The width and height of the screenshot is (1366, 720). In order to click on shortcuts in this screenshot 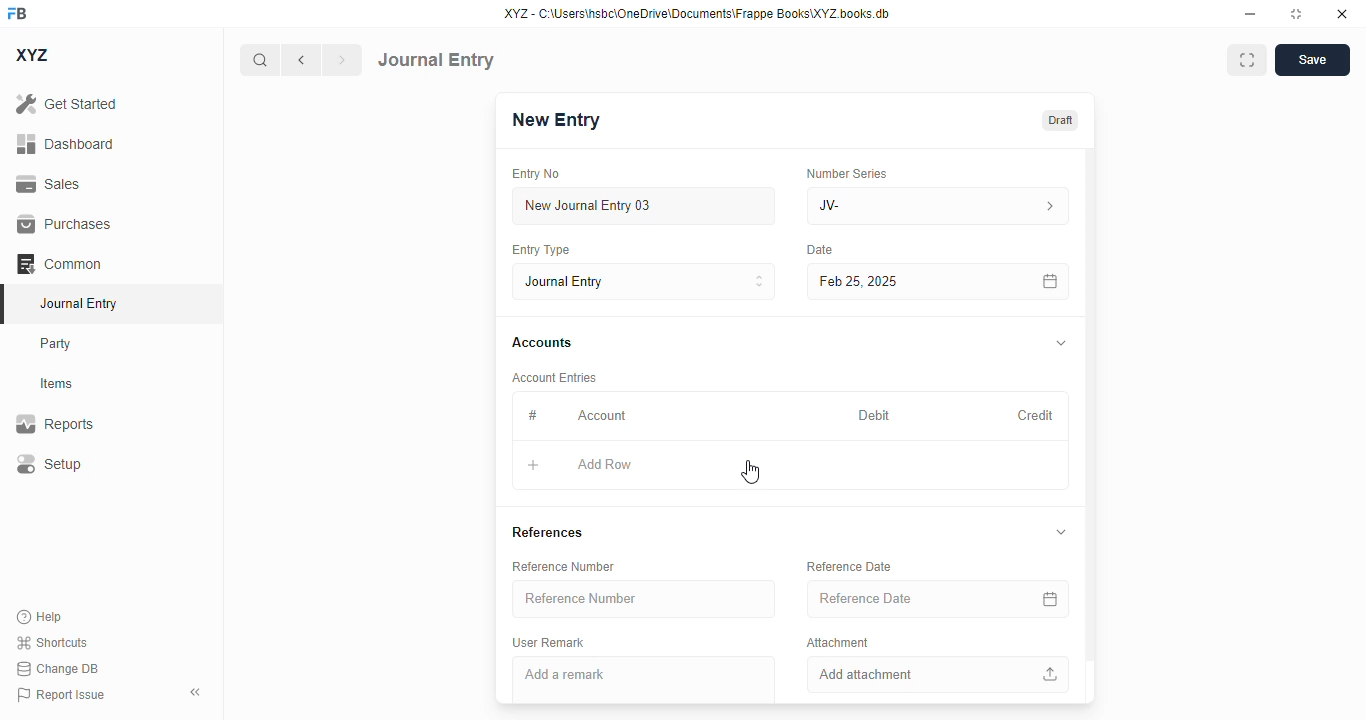, I will do `click(51, 642)`.